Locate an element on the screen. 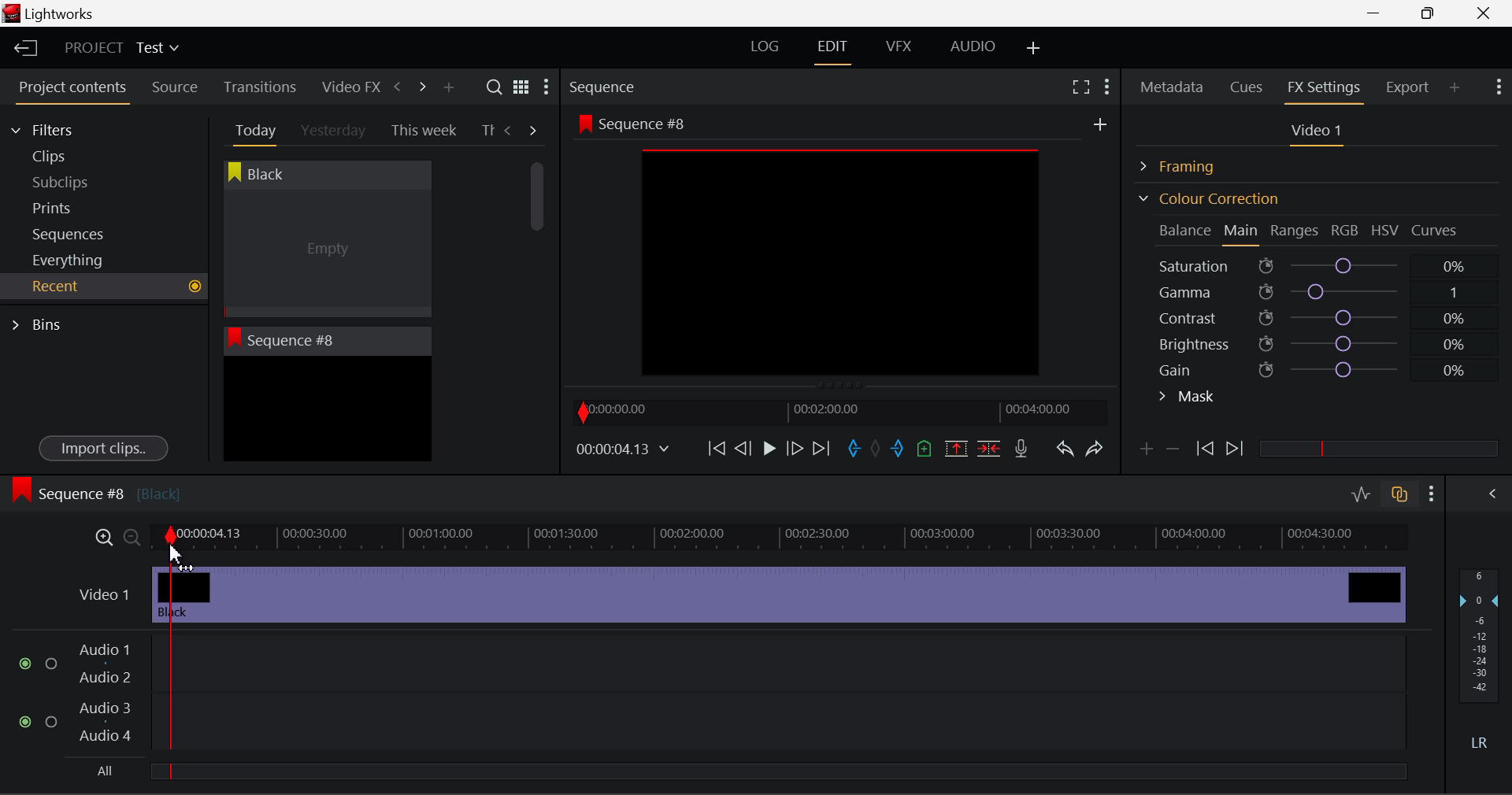  Audio Input Fields is located at coordinates (712, 694).